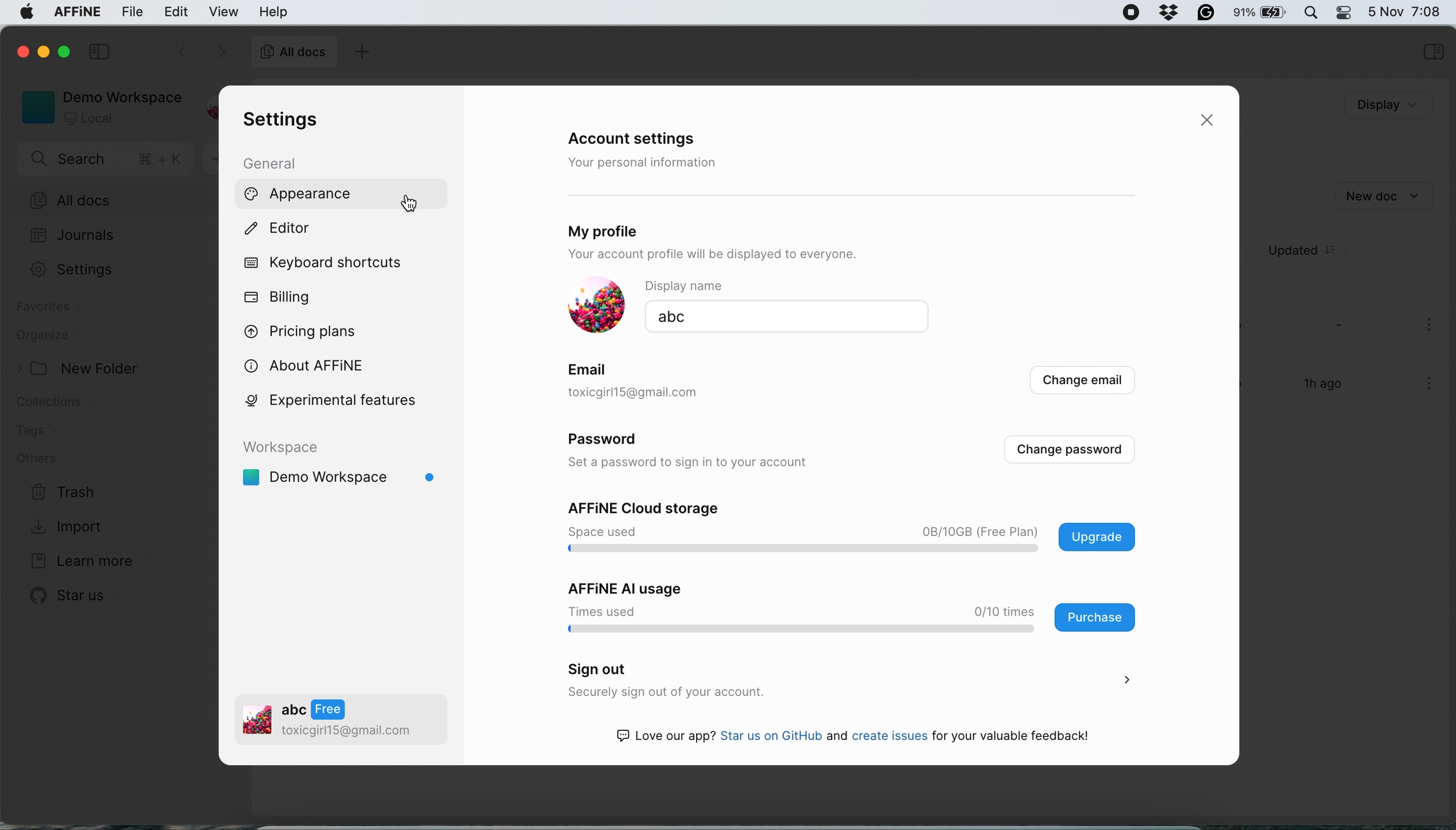 The height and width of the screenshot is (830, 1456). What do you see at coordinates (805, 550) in the screenshot?
I see `Log bar` at bounding box center [805, 550].